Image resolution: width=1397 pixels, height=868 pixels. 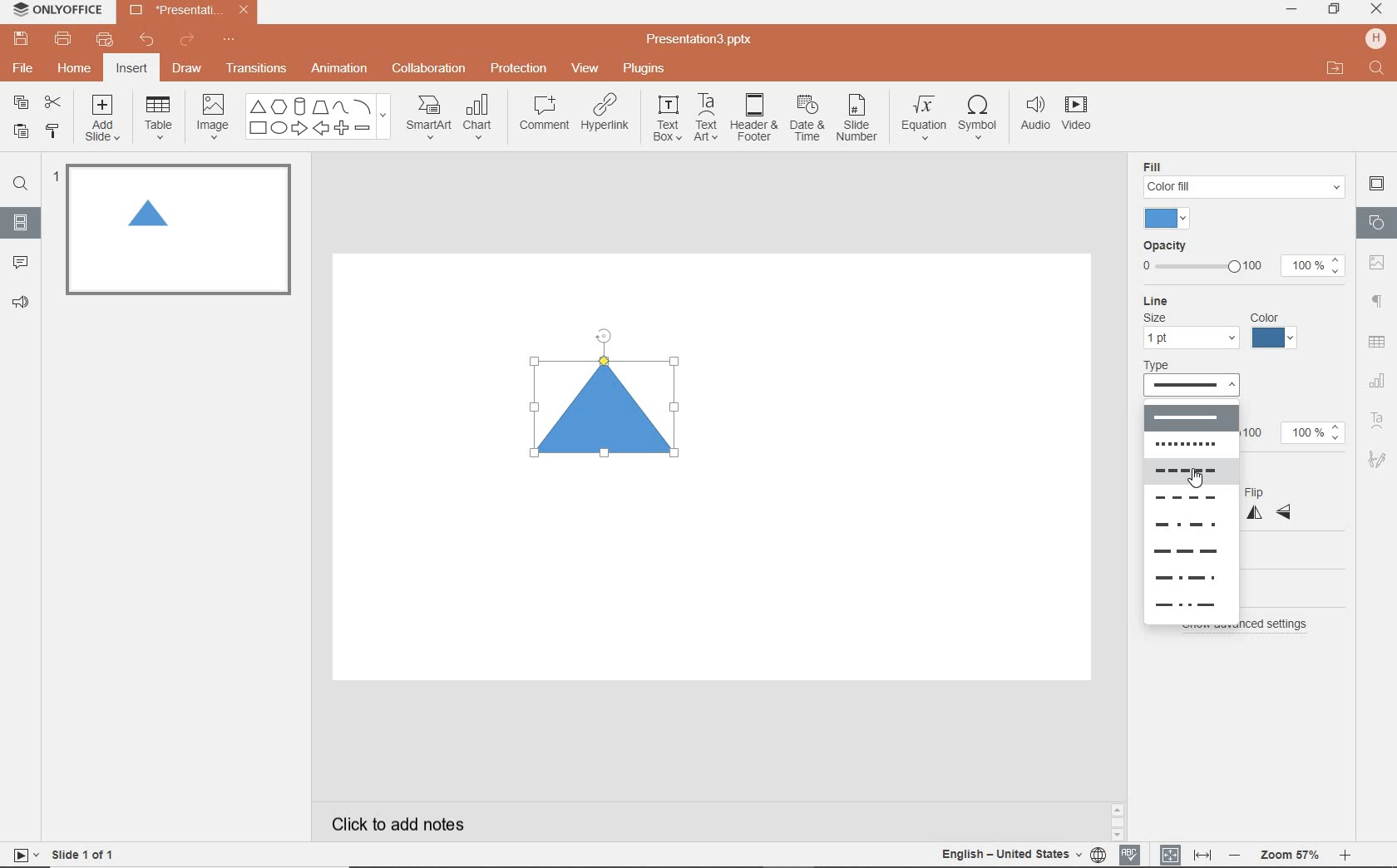 I want to click on CHART SETTINGS, so click(x=1378, y=379).